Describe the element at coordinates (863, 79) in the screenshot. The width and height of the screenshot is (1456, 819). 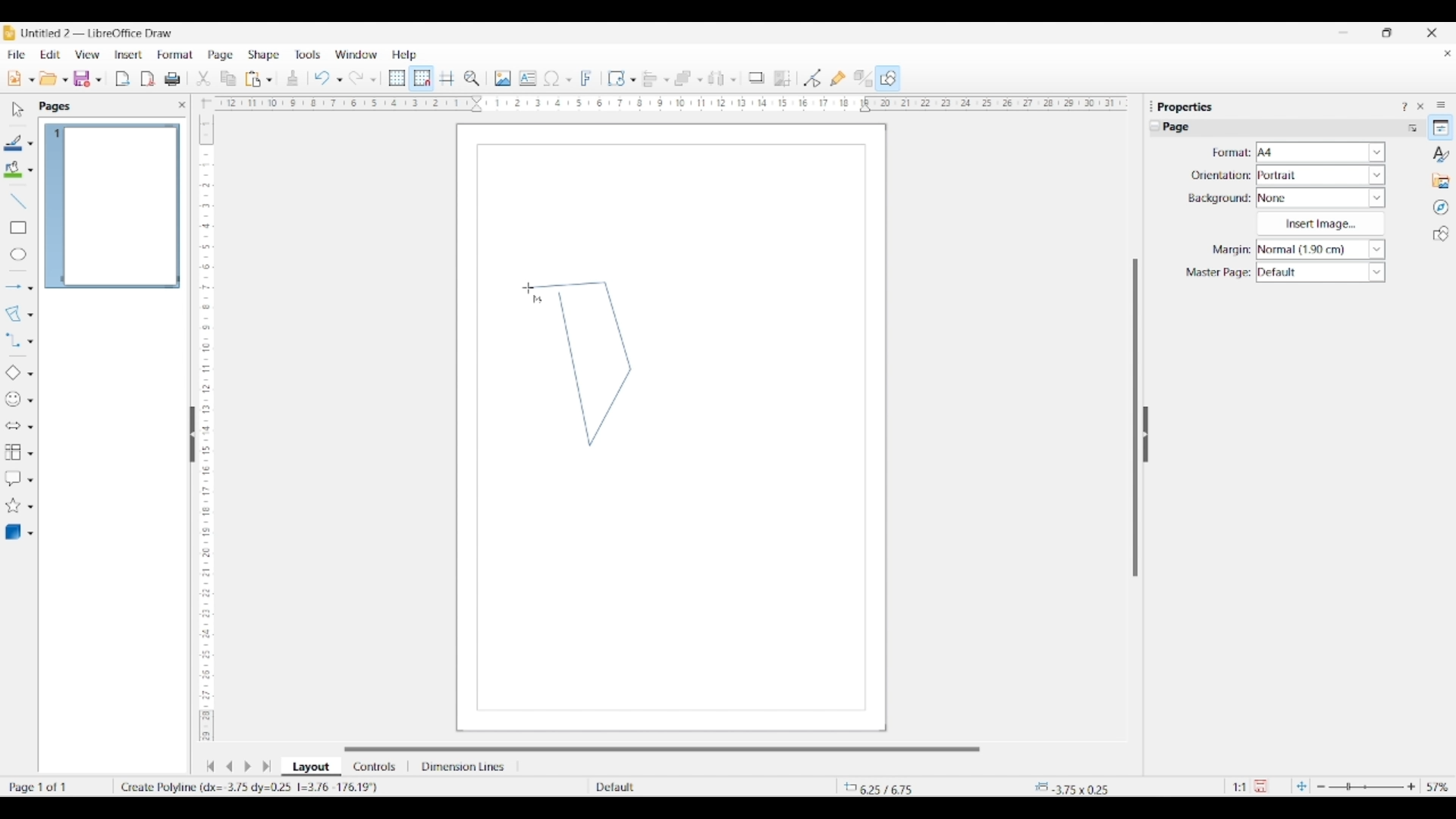
I see `Toggle extrusion` at that location.